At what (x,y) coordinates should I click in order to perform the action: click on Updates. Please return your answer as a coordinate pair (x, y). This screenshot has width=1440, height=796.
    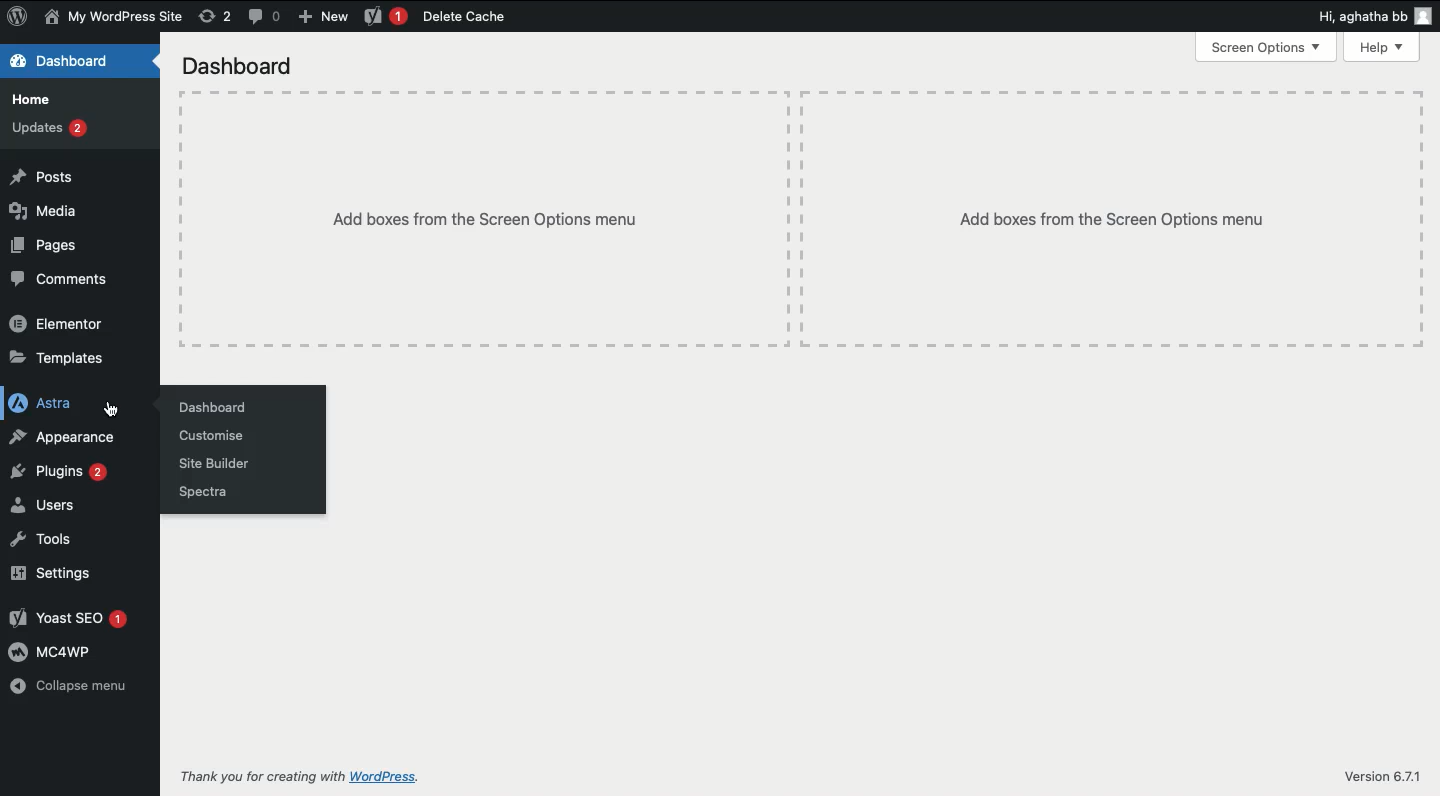
    Looking at the image, I should click on (49, 128).